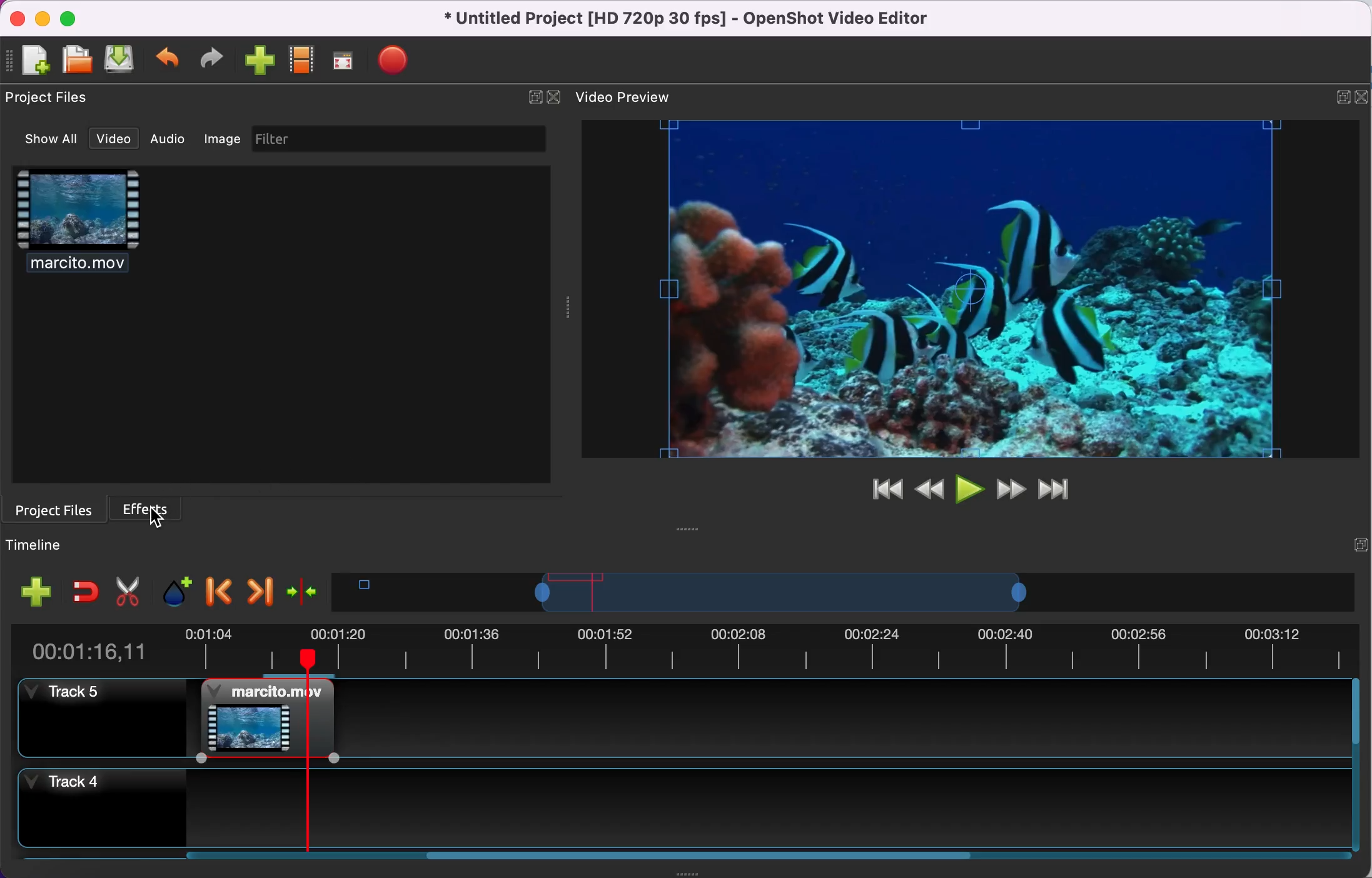 Image resolution: width=1372 pixels, height=878 pixels. Describe the element at coordinates (71, 16) in the screenshot. I see `maximize` at that location.